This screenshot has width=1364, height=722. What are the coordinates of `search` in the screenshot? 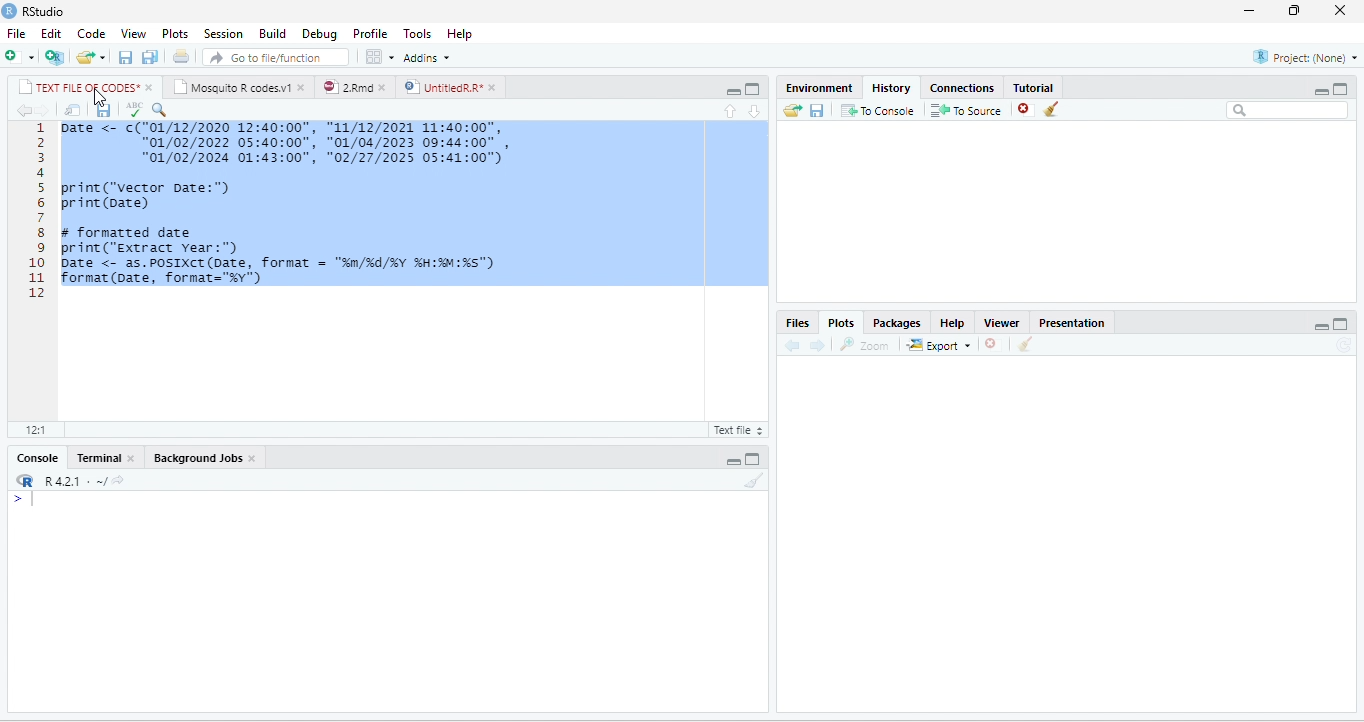 It's located at (160, 110).